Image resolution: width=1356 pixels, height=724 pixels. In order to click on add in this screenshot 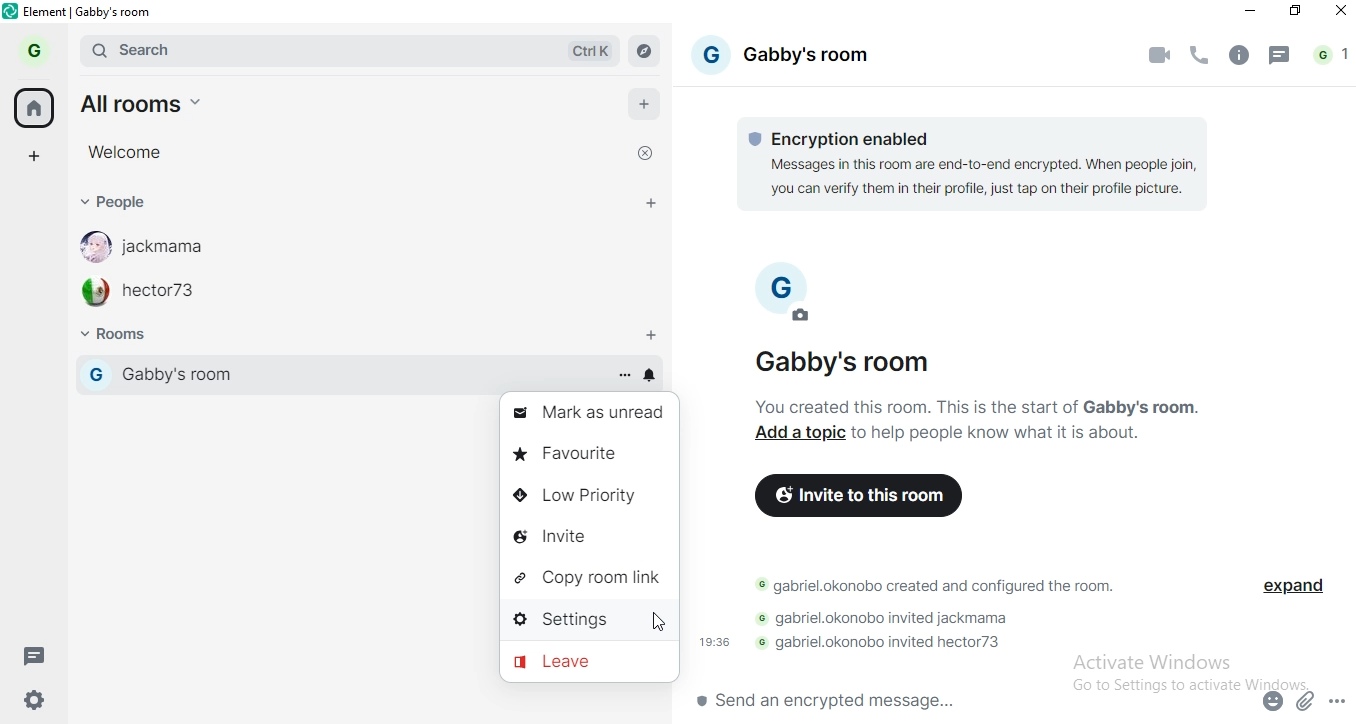, I will do `click(646, 103)`.